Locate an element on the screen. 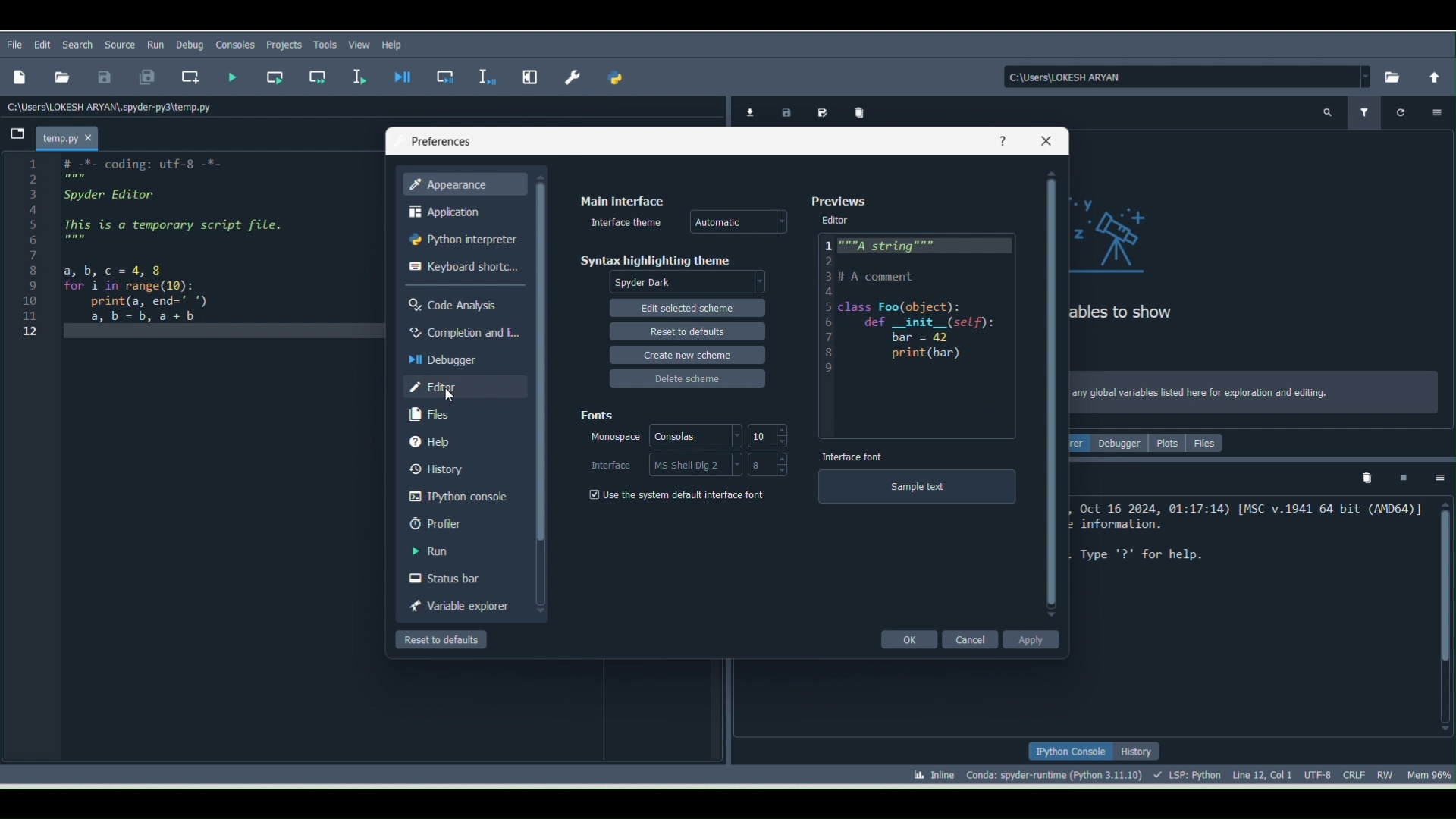 This screenshot has width=1456, height=819. Preferences is located at coordinates (440, 142).